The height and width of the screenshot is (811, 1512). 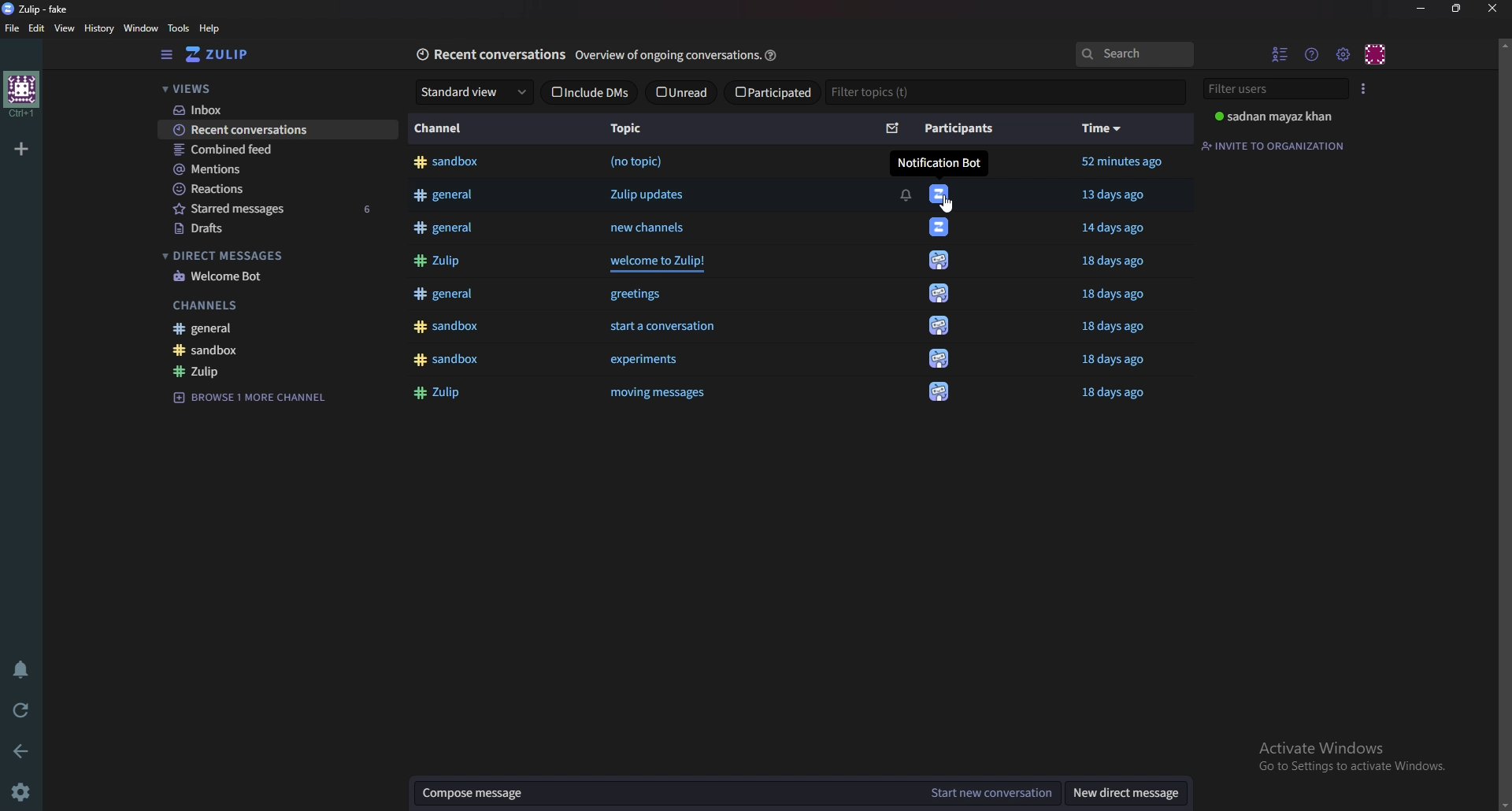 What do you see at coordinates (438, 261) in the screenshot?
I see `#Zulip` at bounding box center [438, 261].